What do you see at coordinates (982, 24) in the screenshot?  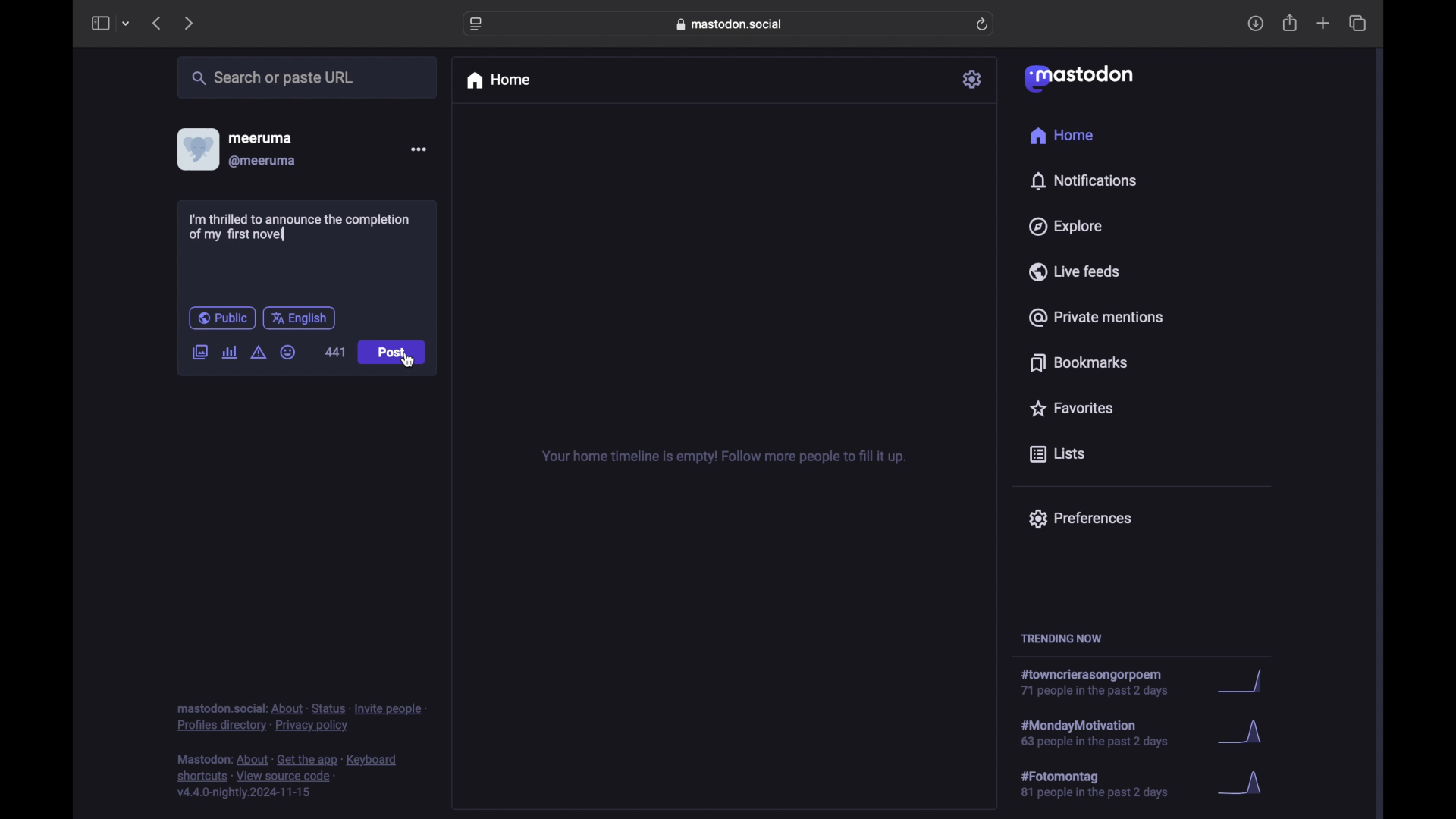 I see `refresh` at bounding box center [982, 24].